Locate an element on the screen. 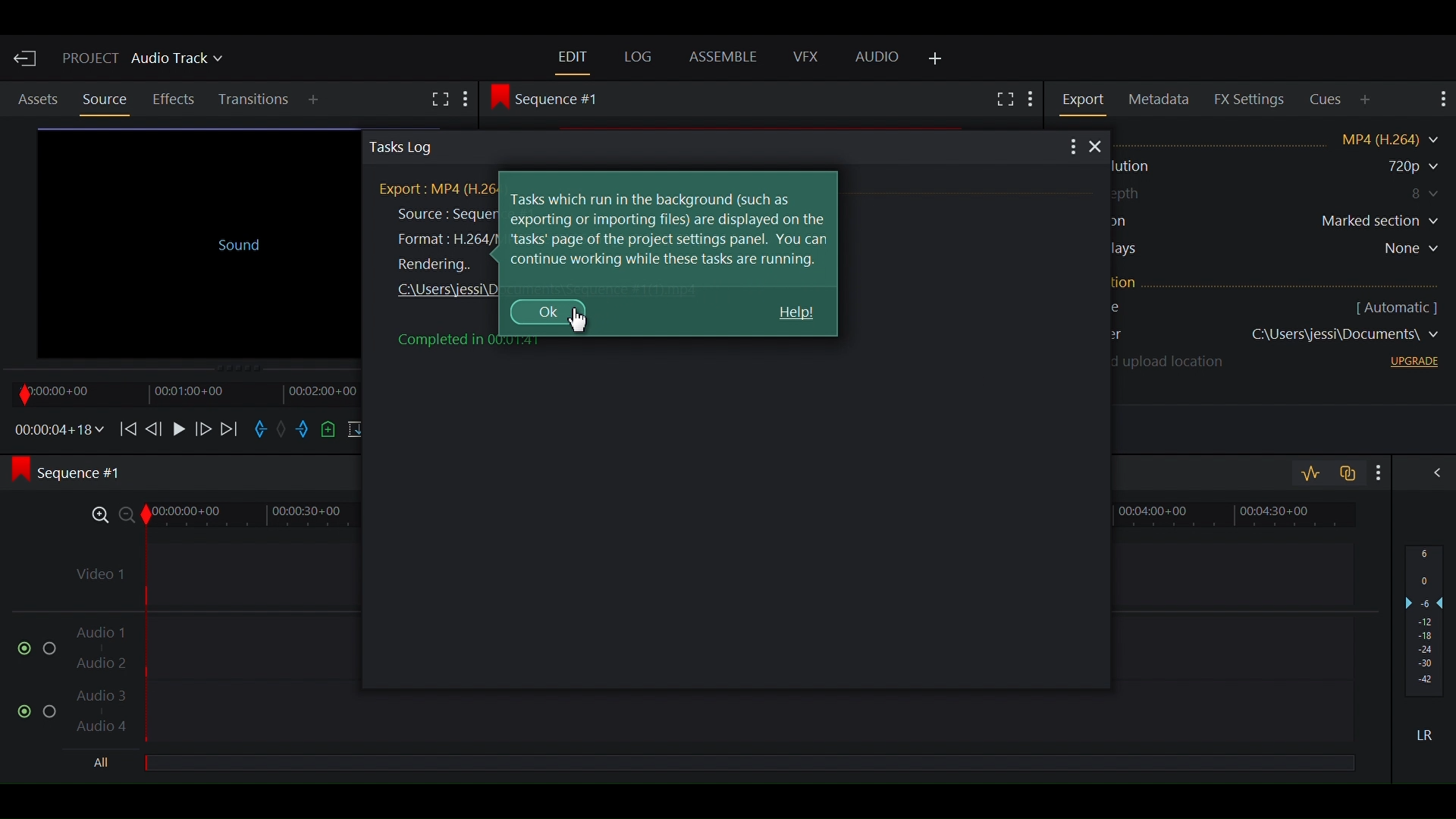 The image size is (1456, 819). Nudge one frame backward is located at coordinates (155, 427).